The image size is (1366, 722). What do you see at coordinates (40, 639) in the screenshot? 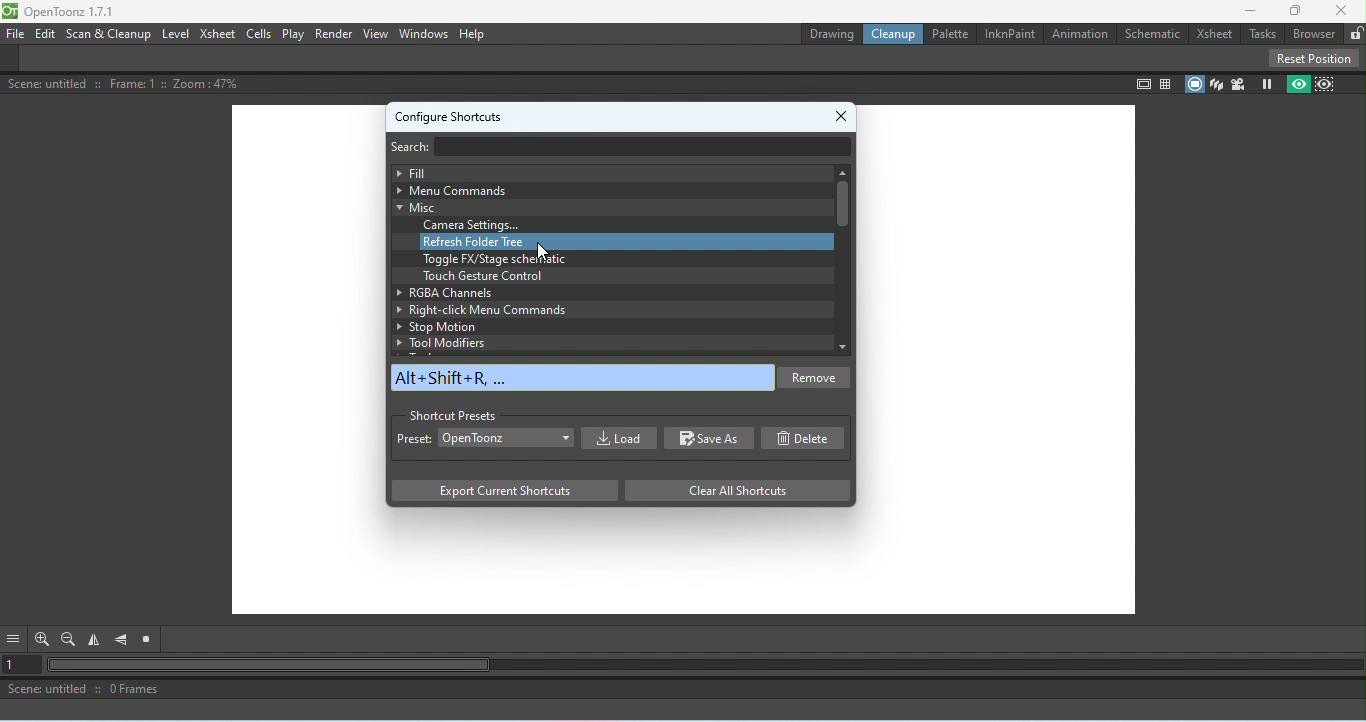
I see `Zoom in` at bounding box center [40, 639].